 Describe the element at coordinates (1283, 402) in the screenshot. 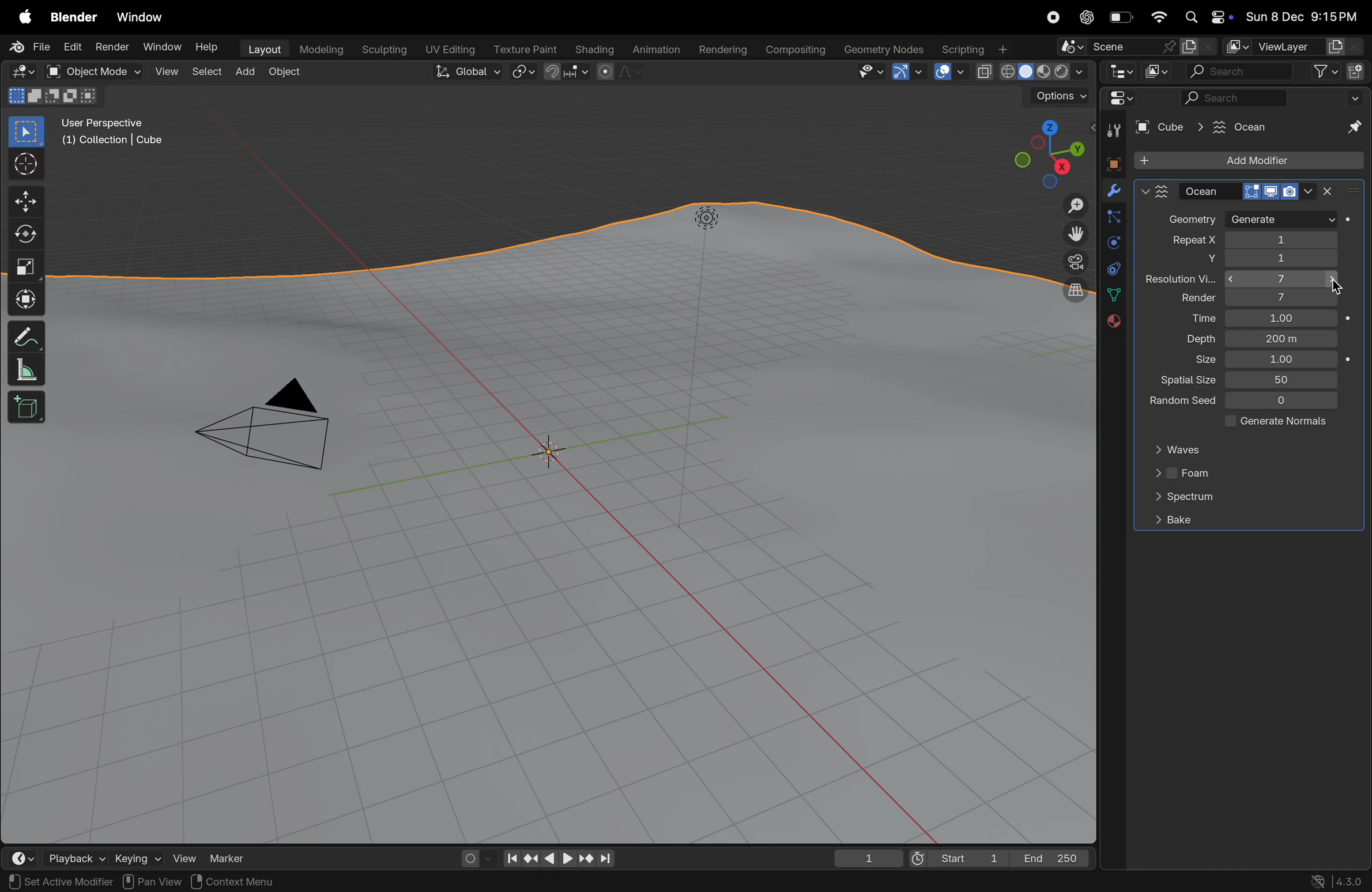

I see `0` at that location.